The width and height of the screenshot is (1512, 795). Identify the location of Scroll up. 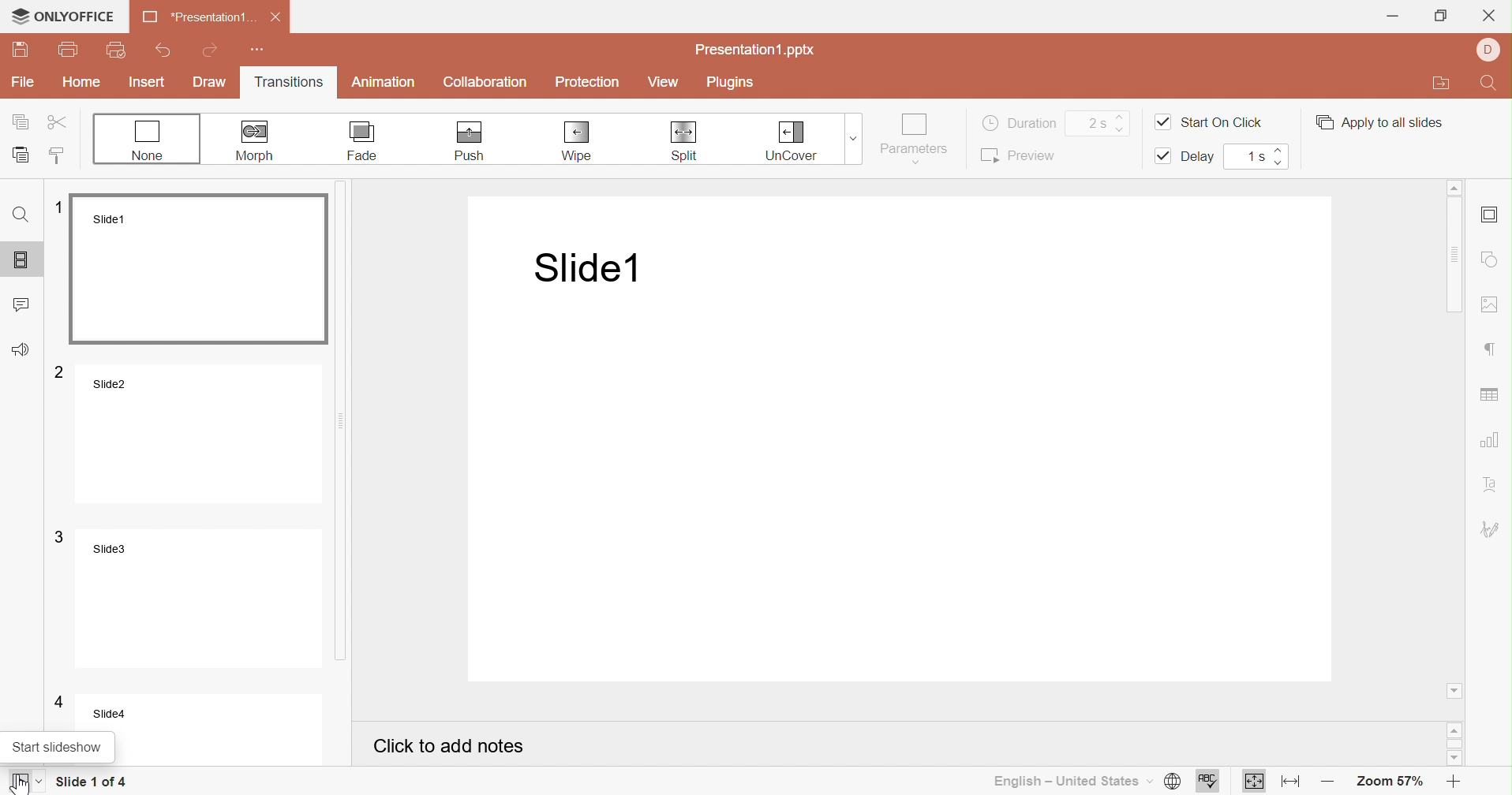
(1458, 188).